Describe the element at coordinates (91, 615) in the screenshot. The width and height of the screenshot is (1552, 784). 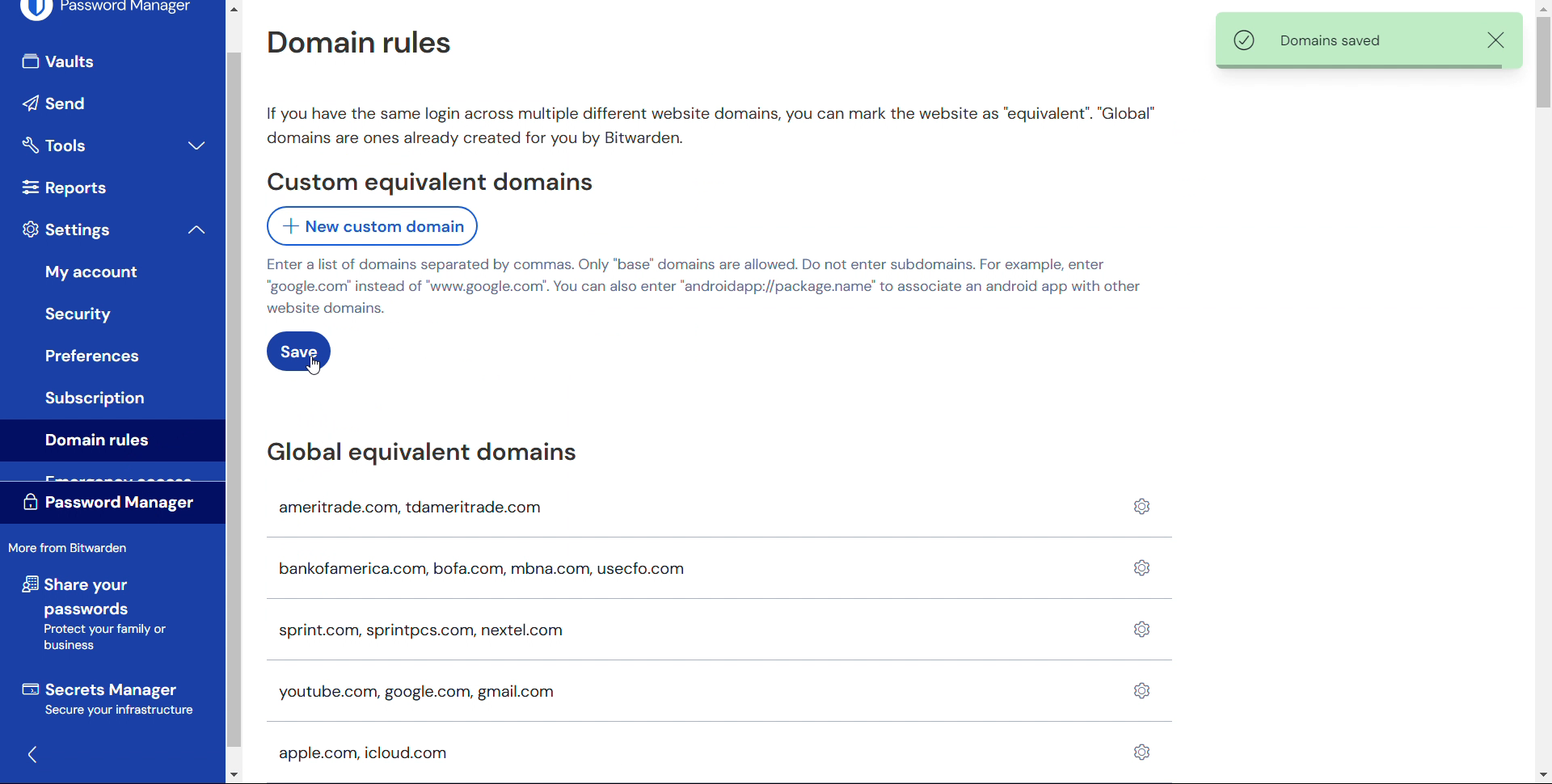
I see `share your passwords Protect your family or business` at that location.